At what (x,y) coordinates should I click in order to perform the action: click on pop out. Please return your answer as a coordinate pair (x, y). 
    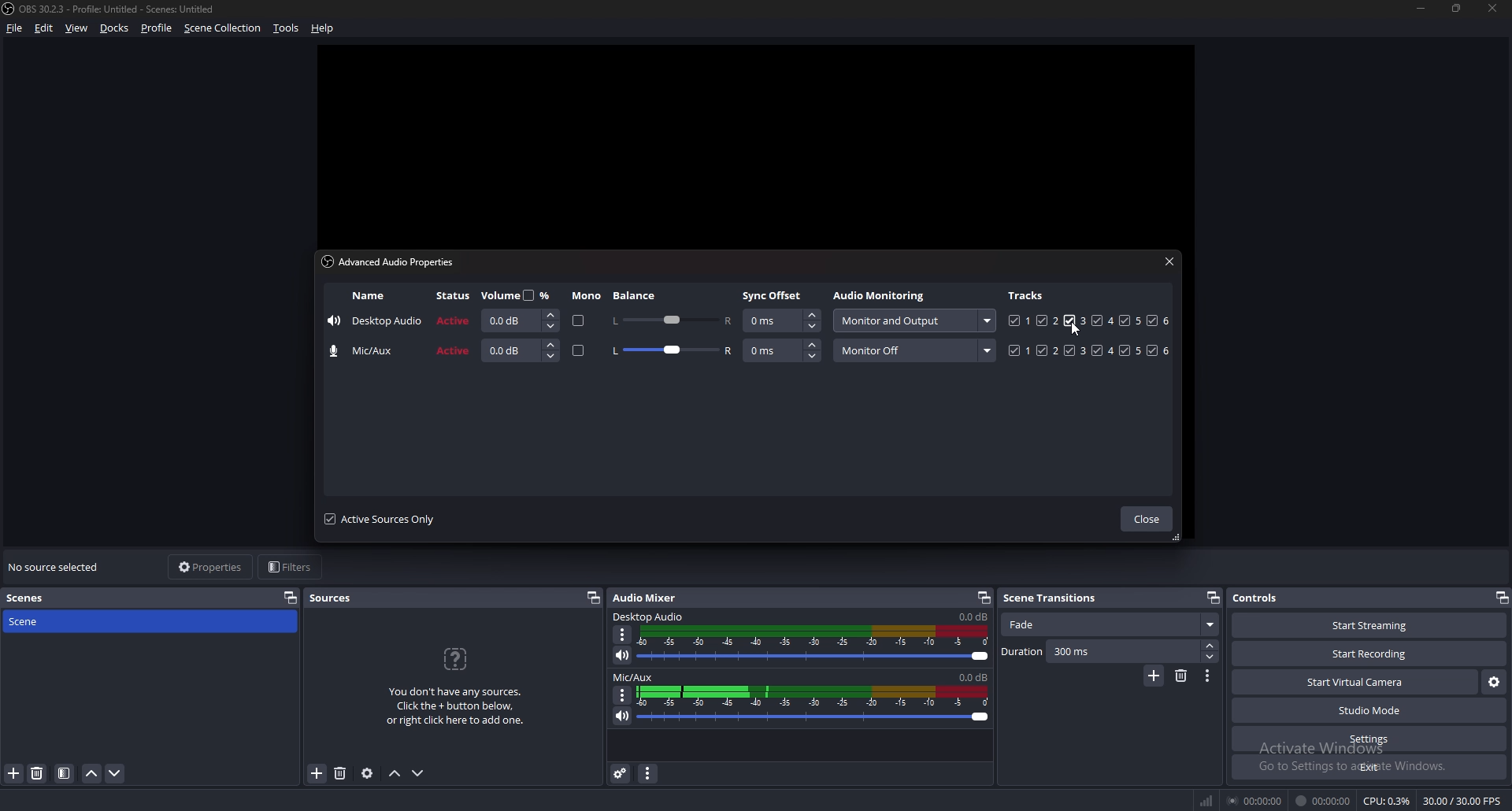
    Looking at the image, I should click on (1501, 597).